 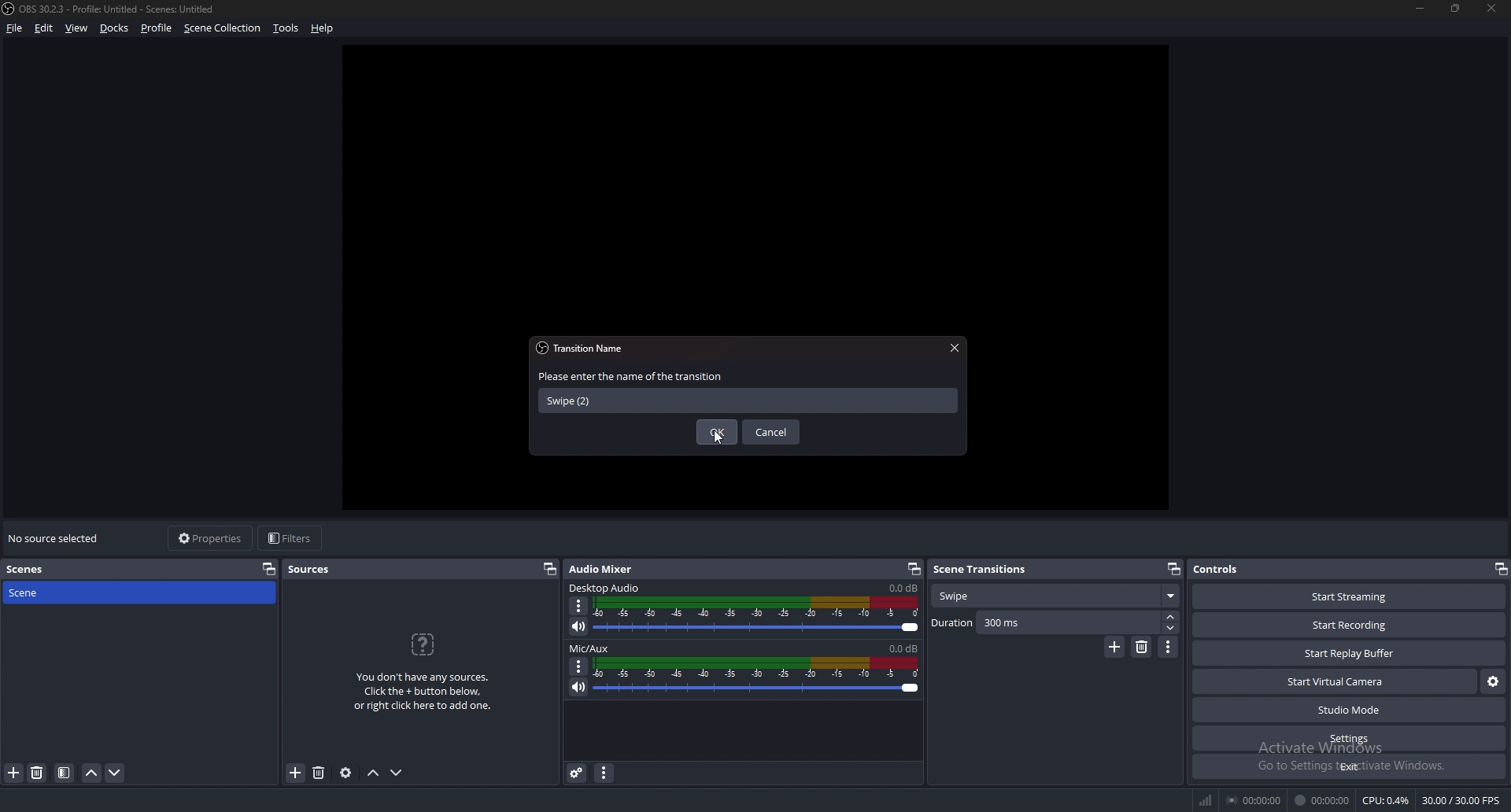 What do you see at coordinates (286, 29) in the screenshot?
I see `tools` at bounding box center [286, 29].